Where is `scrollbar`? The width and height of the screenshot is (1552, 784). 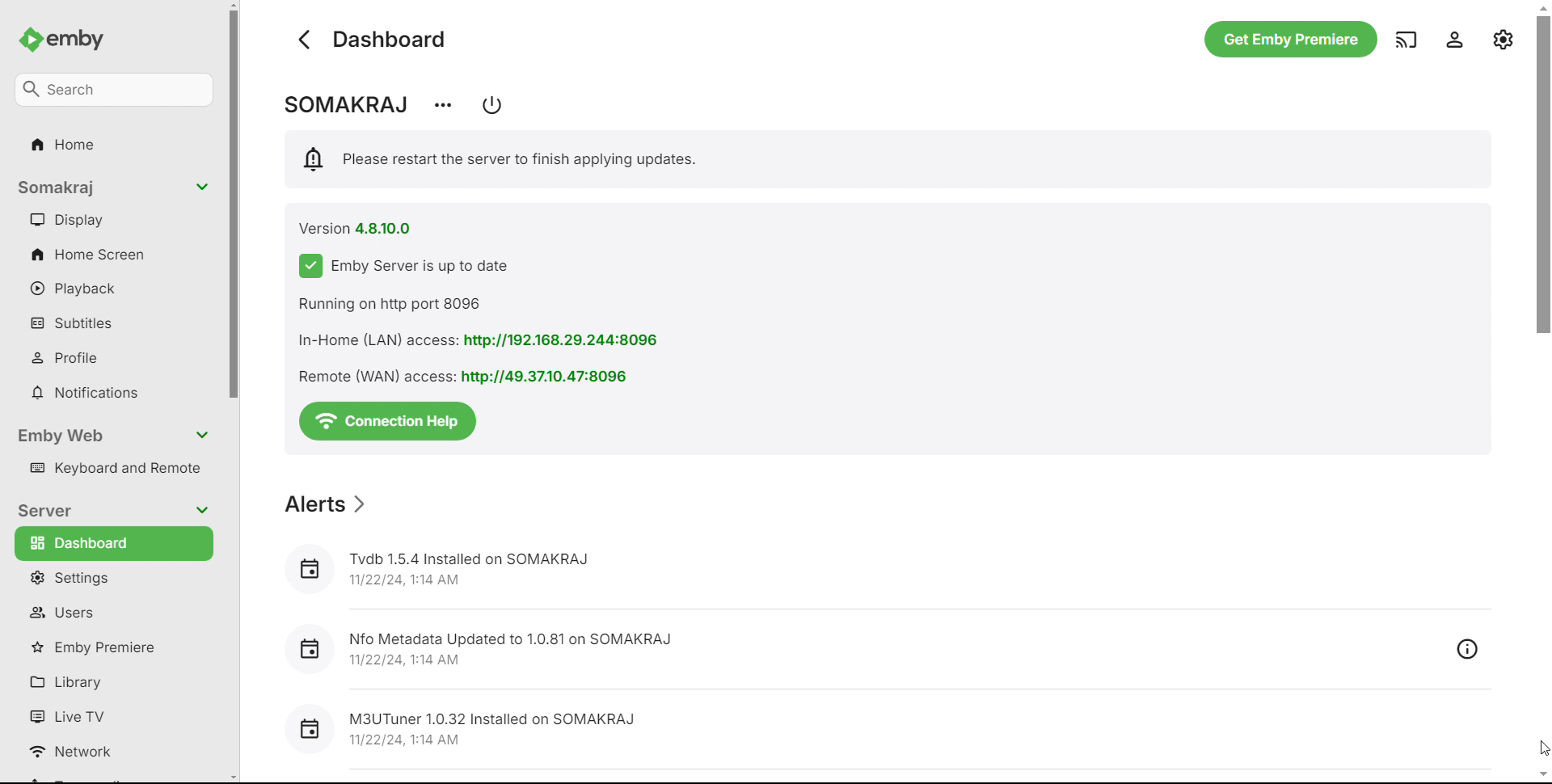 scrollbar is located at coordinates (1546, 390).